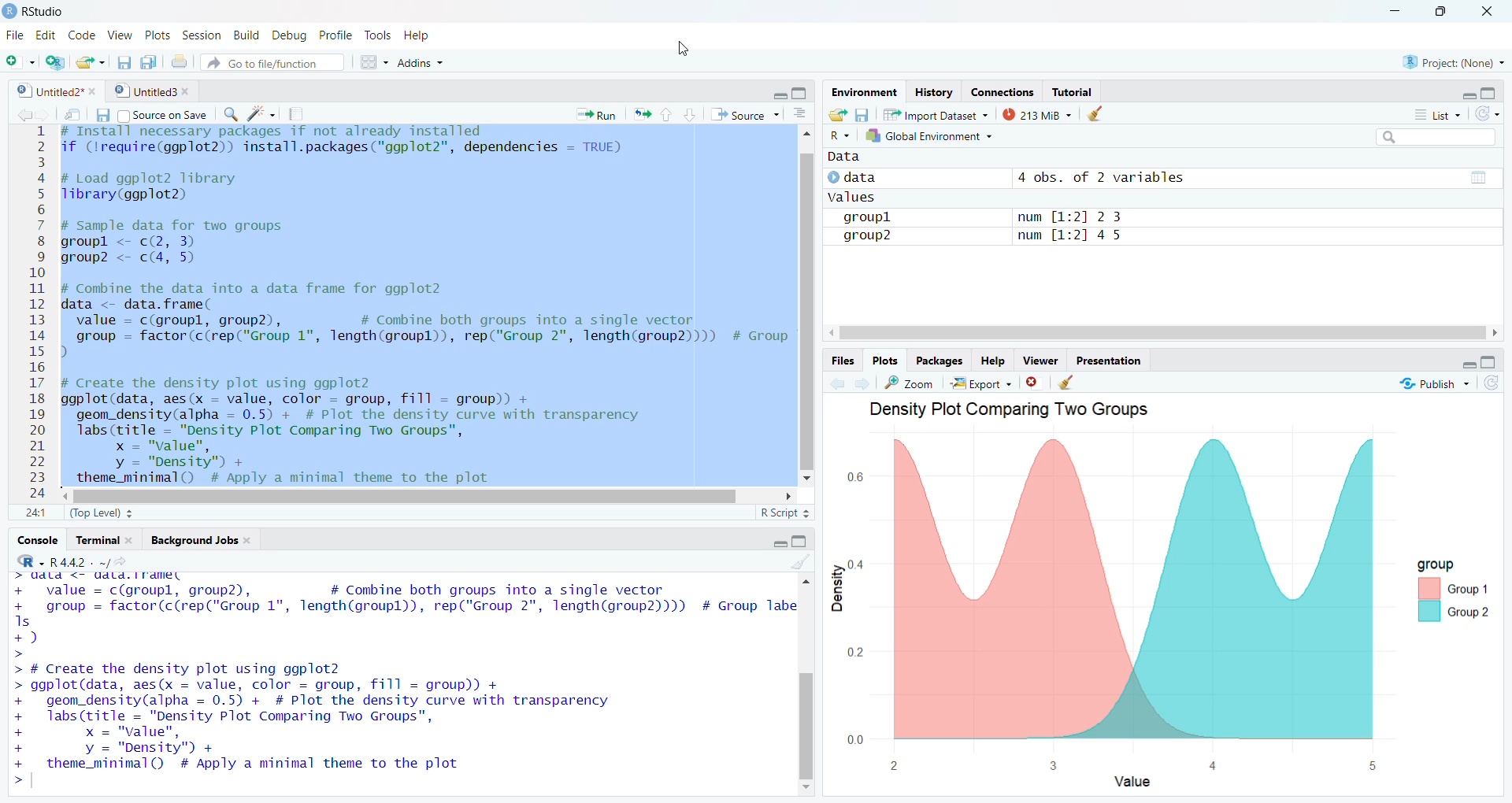 The height and width of the screenshot is (803, 1512). I want to click on export, so click(980, 381).